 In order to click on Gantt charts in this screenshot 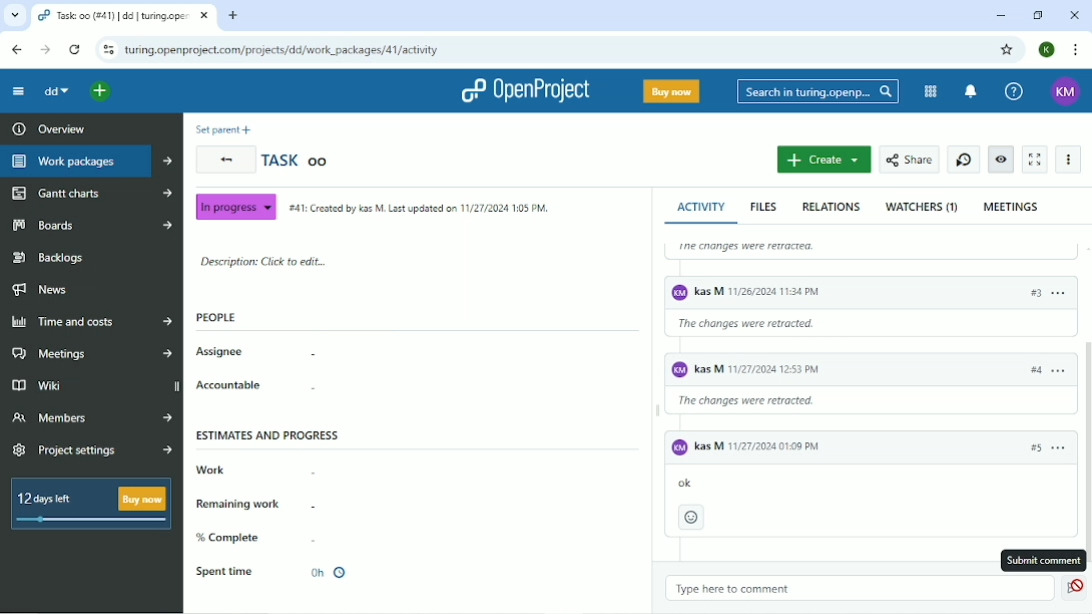, I will do `click(90, 193)`.